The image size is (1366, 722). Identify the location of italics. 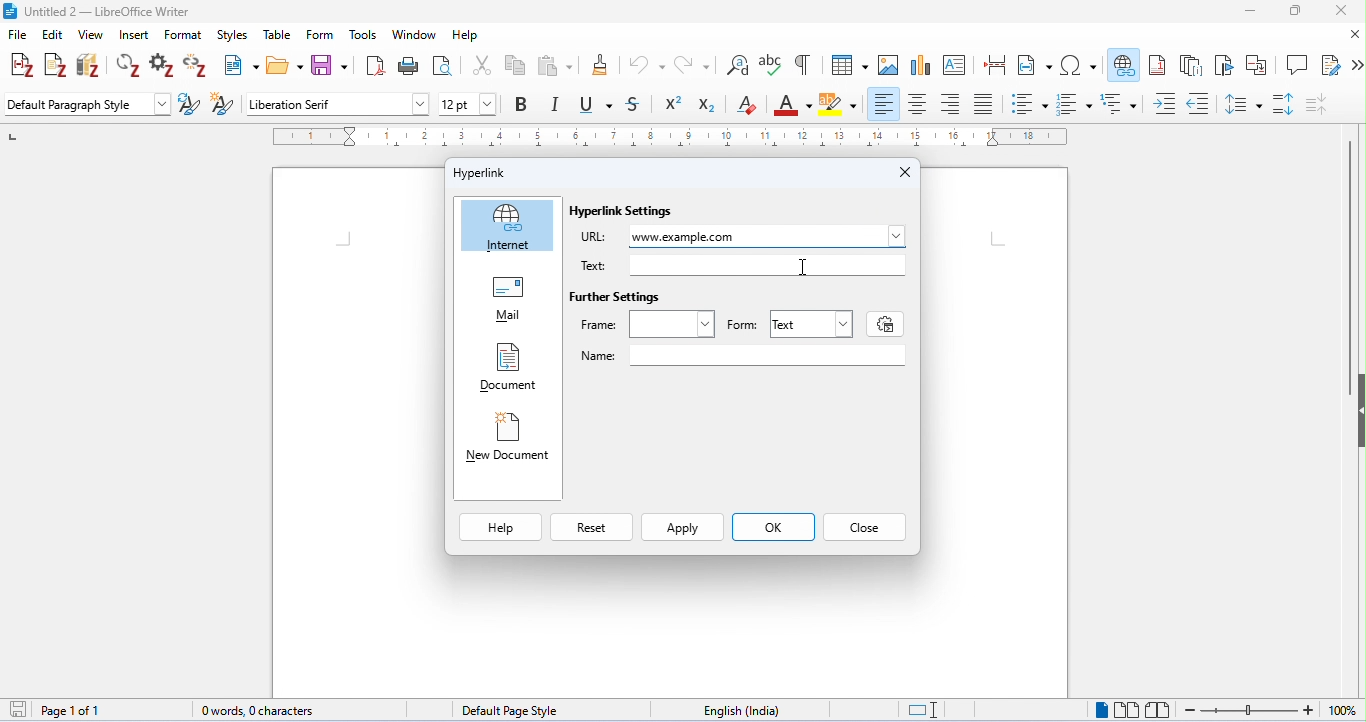
(557, 104).